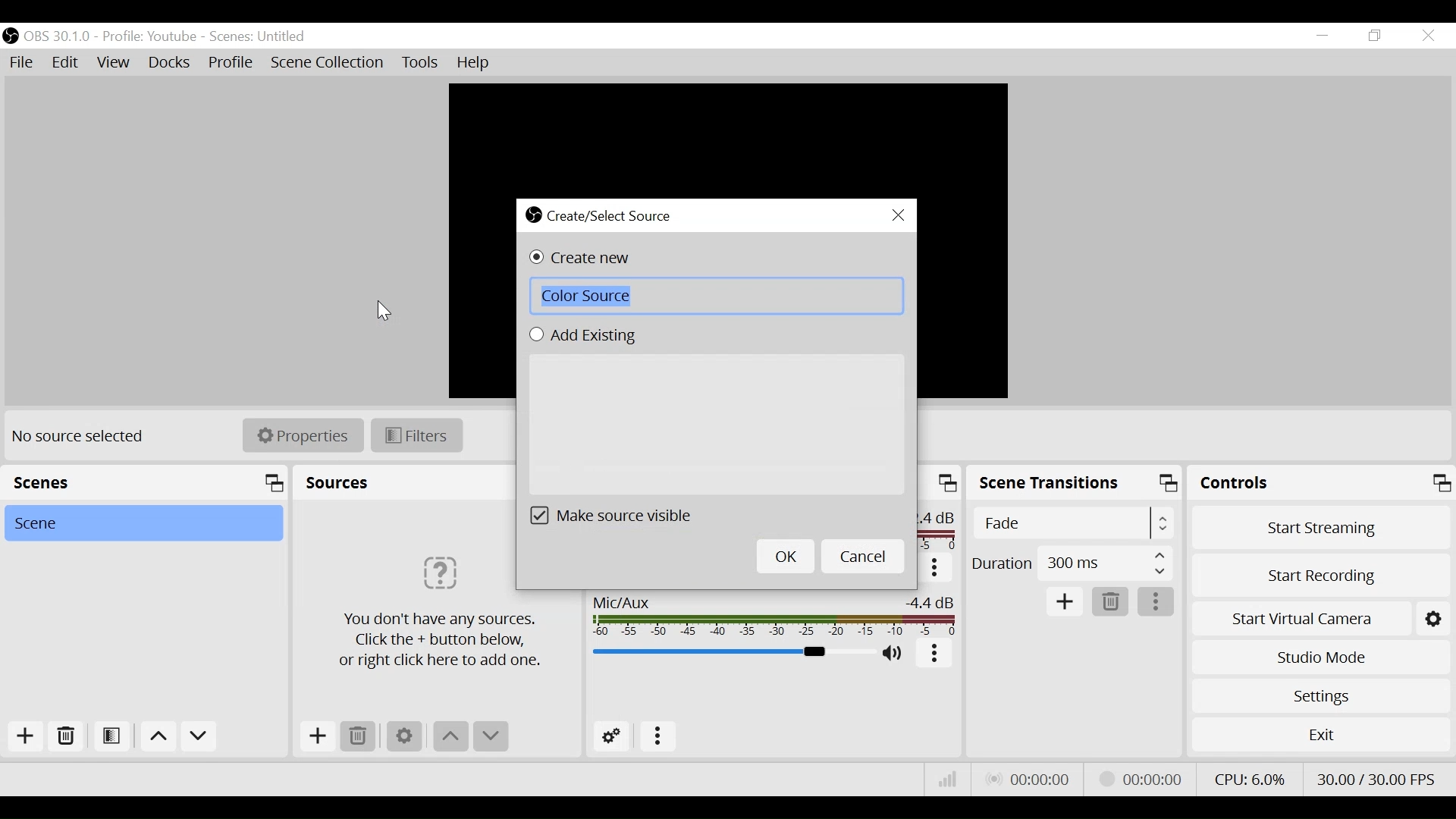  What do you see at coordinates (142, 523) in the screenshot?
I see `Scene` at bounding box center [142, 523].